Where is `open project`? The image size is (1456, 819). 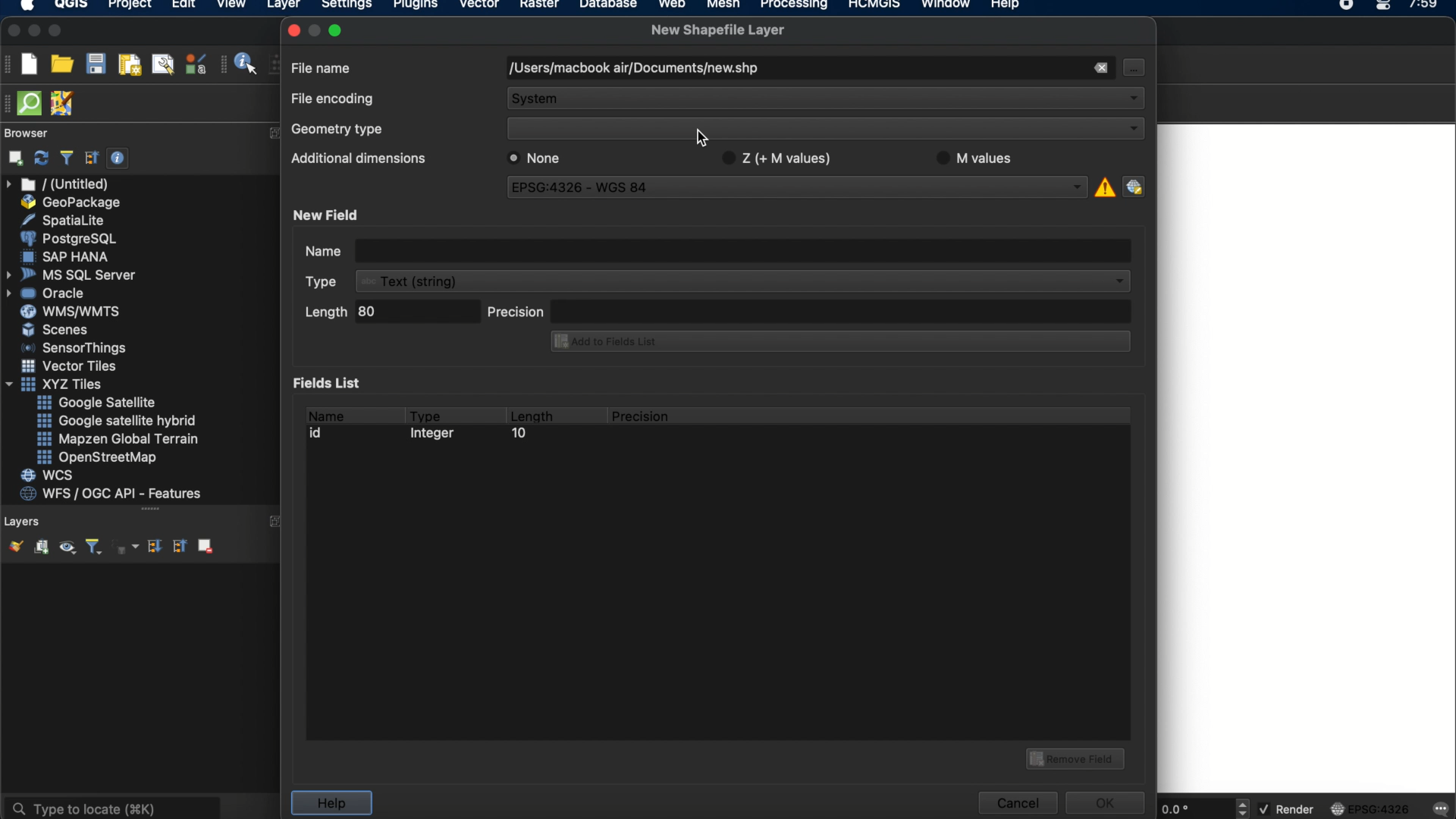
open project is located at coordinates (61, 64).